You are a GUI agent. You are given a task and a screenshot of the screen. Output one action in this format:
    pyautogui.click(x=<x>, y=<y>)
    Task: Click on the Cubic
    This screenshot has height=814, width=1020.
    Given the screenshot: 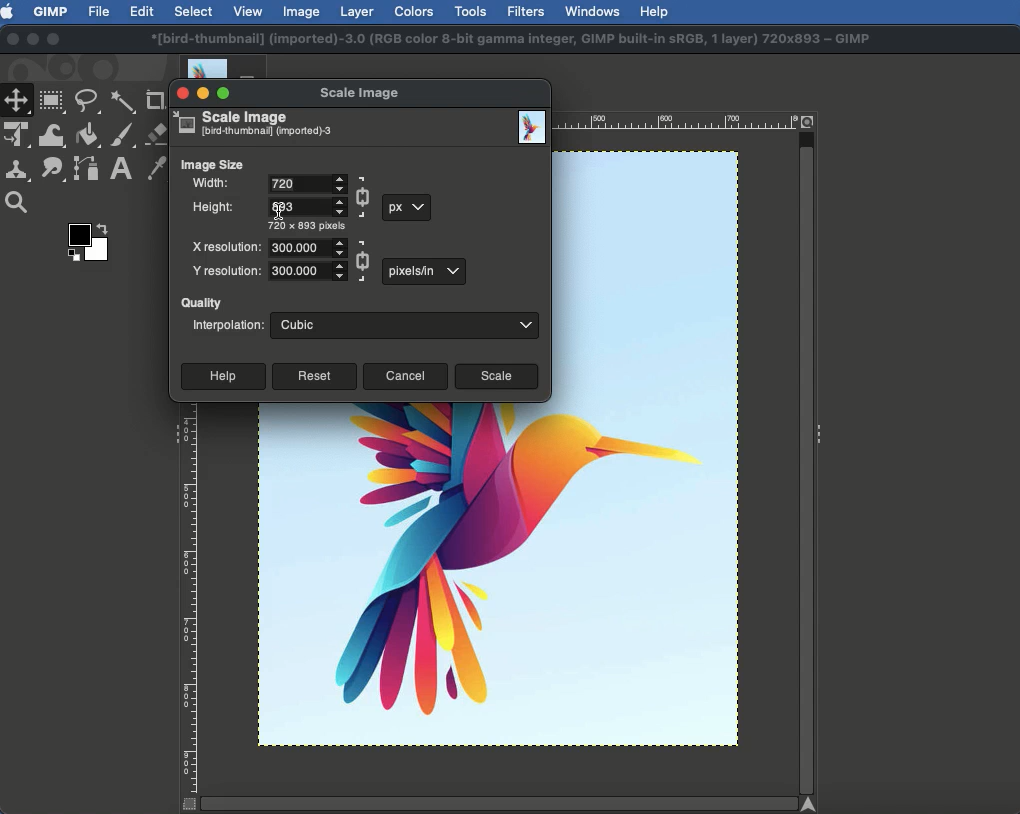 What is the action you would take?
    pyautogui.click(x=406, y=324)
    